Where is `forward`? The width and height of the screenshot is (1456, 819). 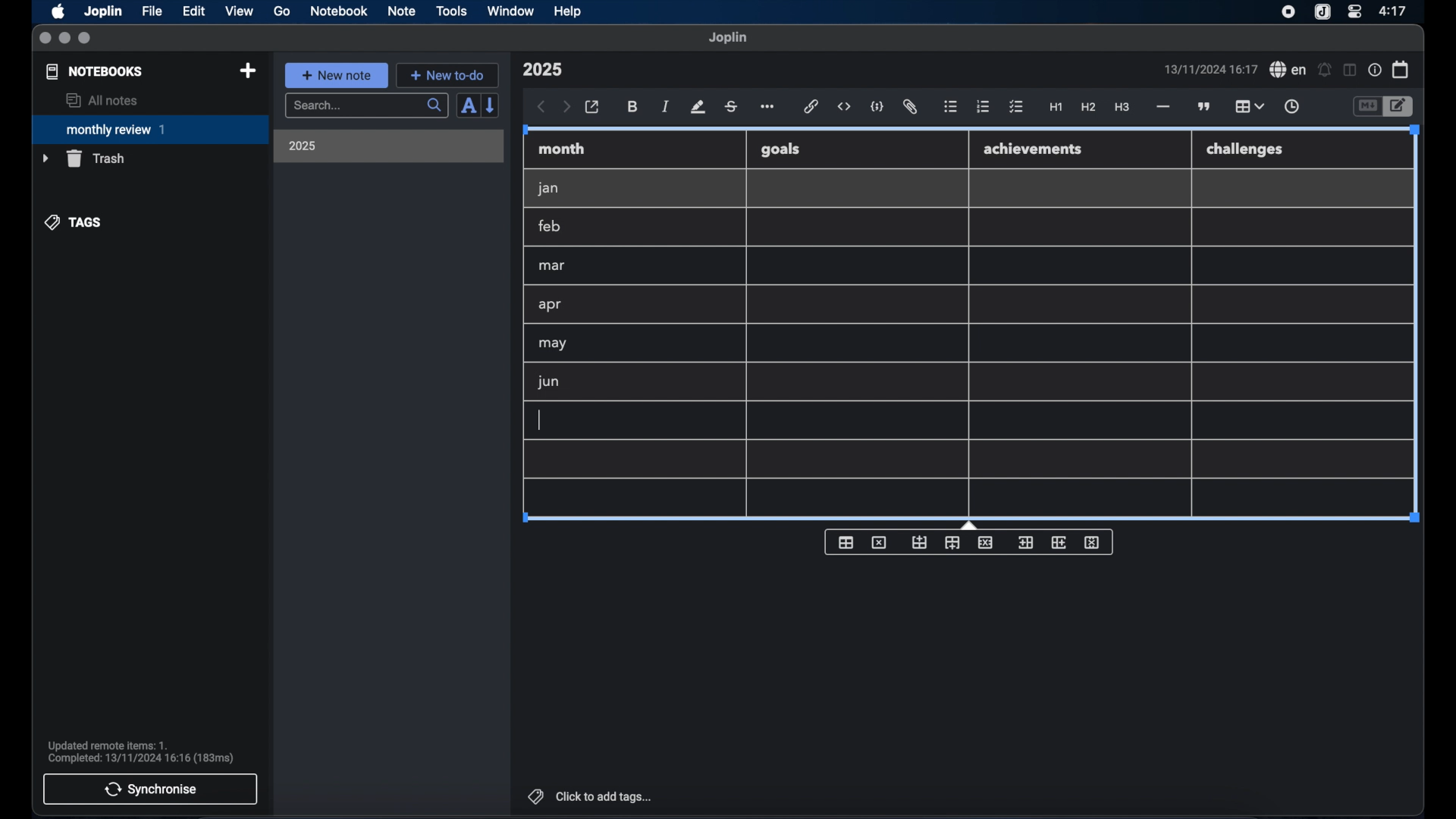
forward is located at coordinates (566, 108).